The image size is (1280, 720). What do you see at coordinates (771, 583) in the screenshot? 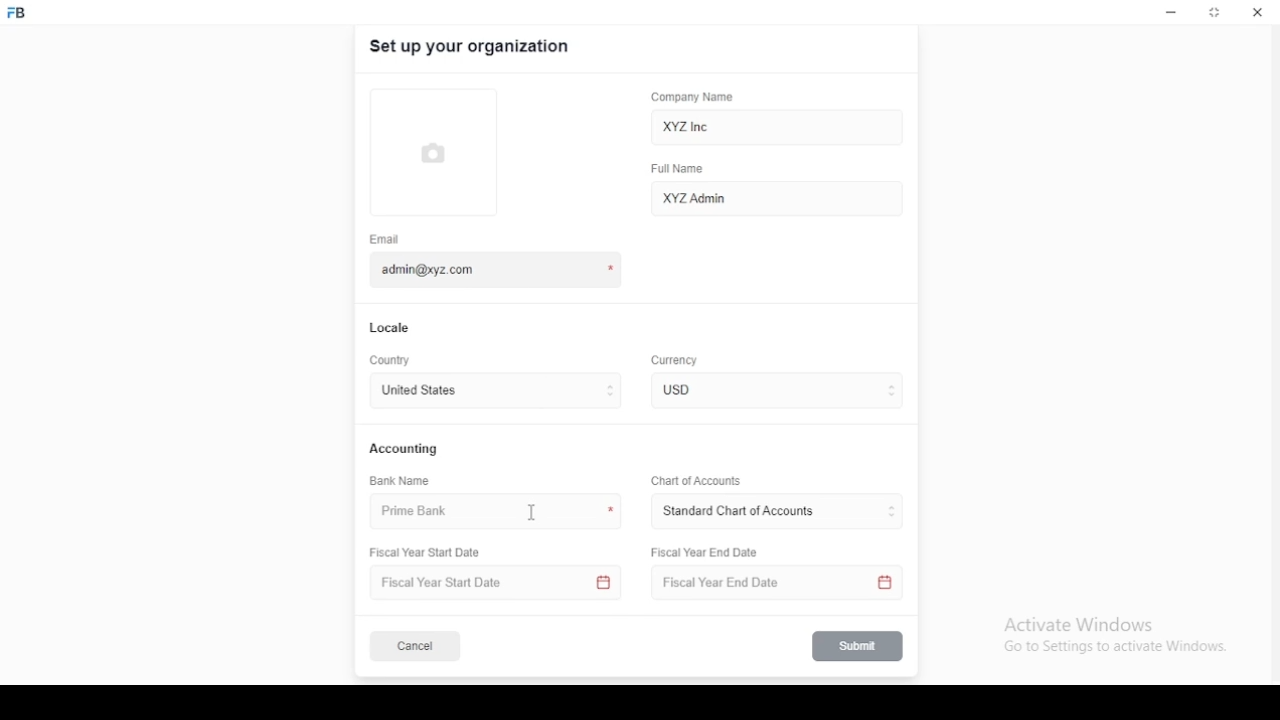
I see `Fiscal Year End Date` at bounding box center [771, 583].